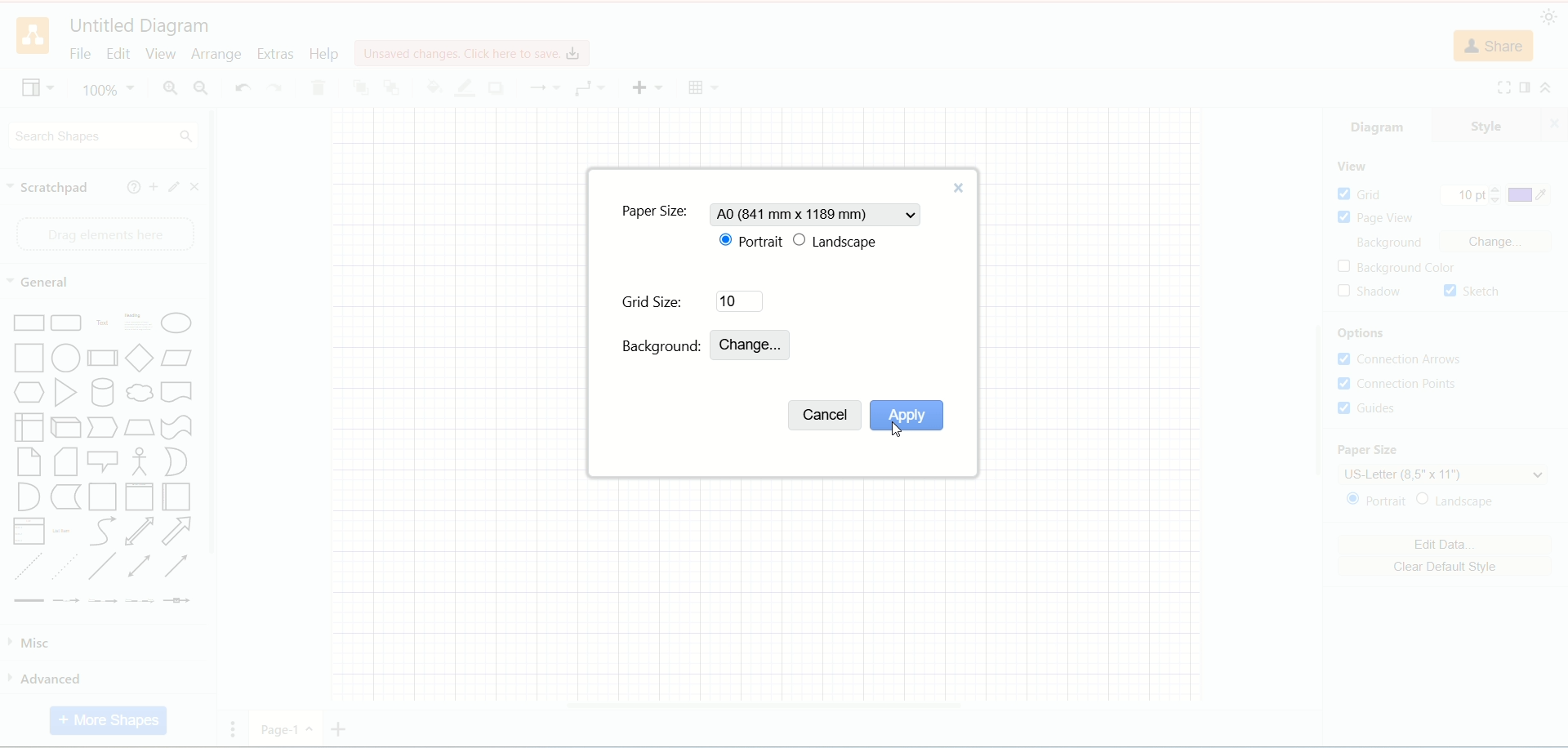 This screenshot has height=748, width=1568. I want to click on Curved Corner Rectangle, so click(67, 325).